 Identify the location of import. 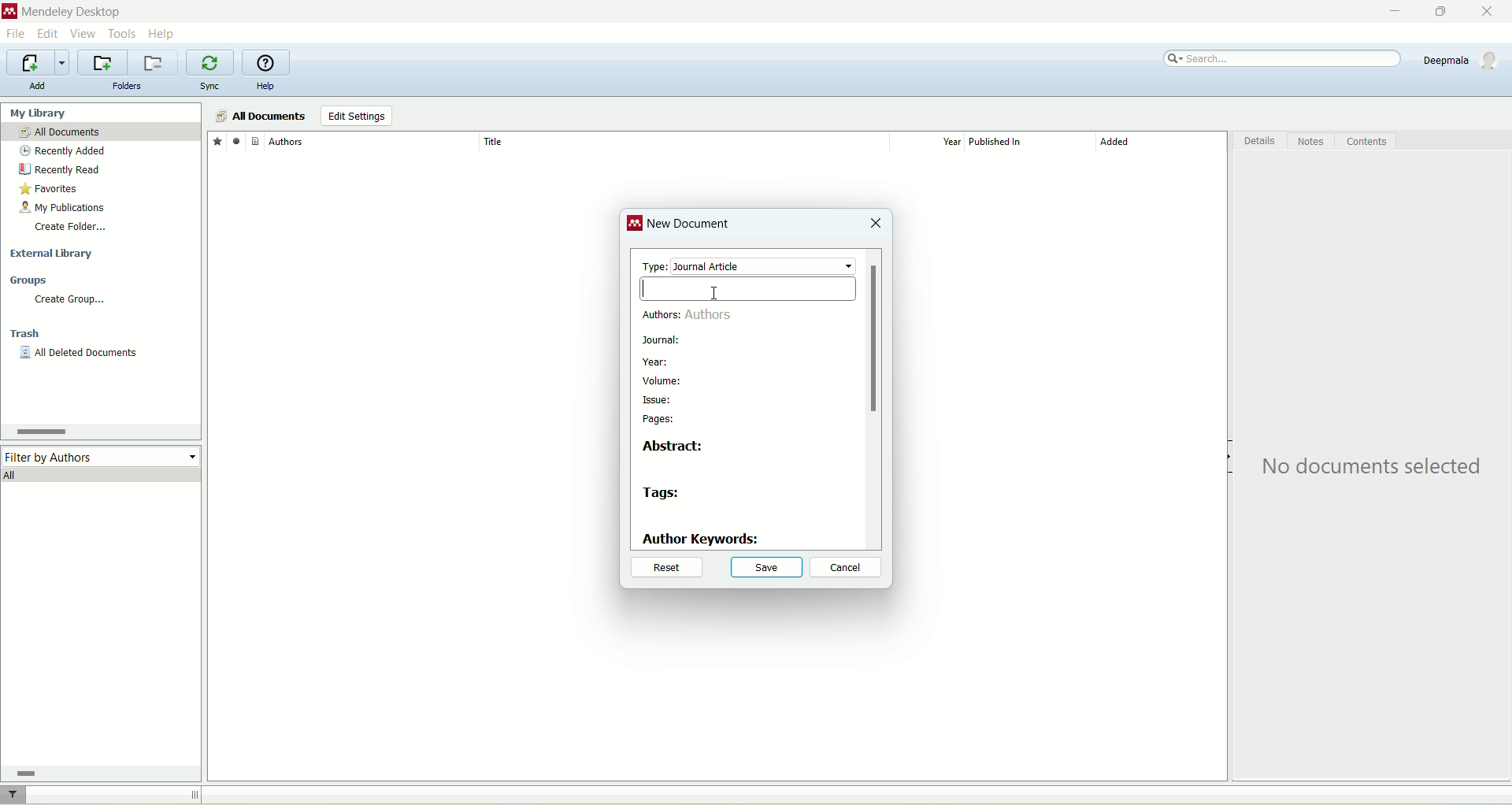
(35, 63).